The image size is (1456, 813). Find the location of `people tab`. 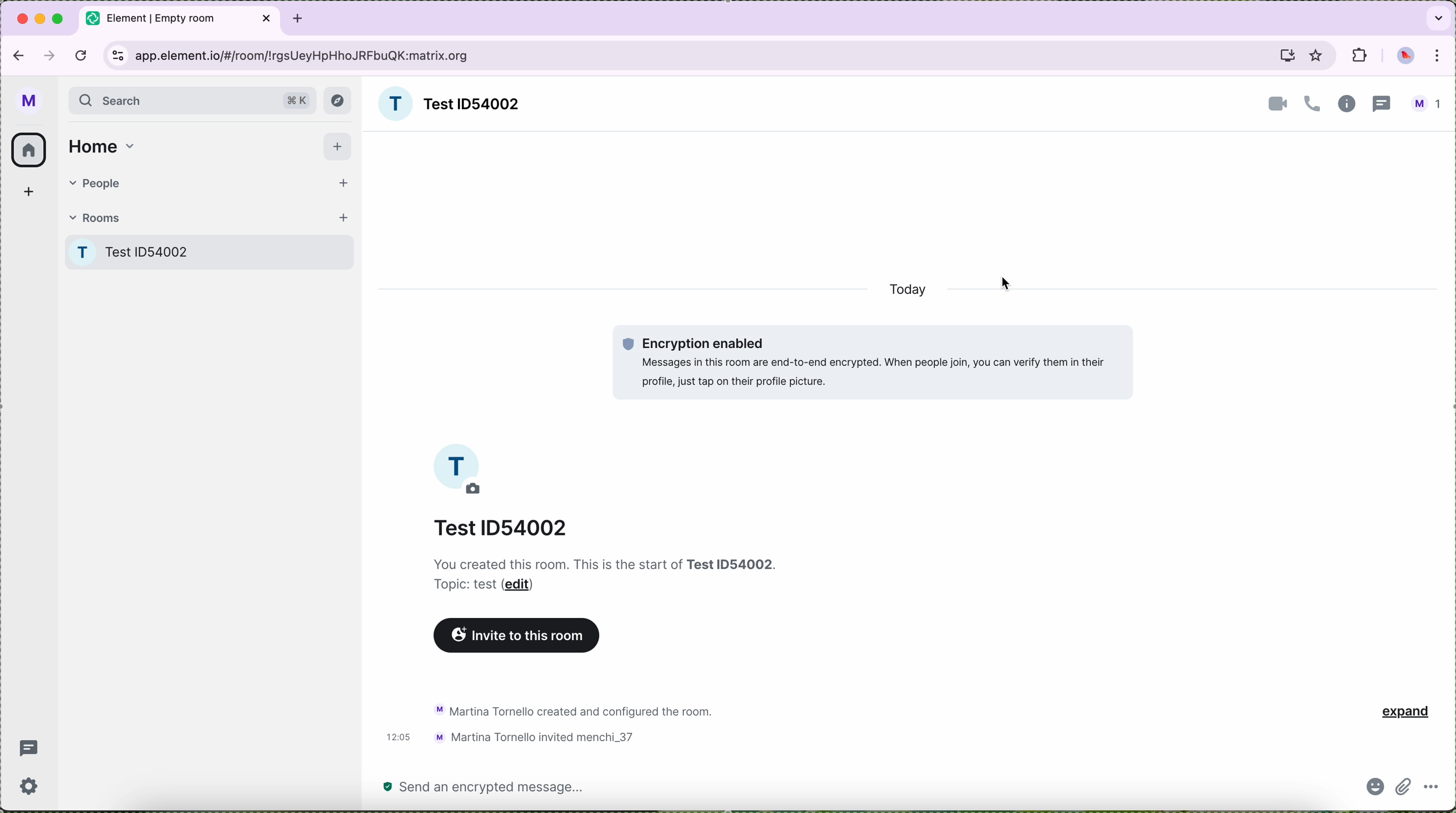

people tab is located at coordinates (207, 181).